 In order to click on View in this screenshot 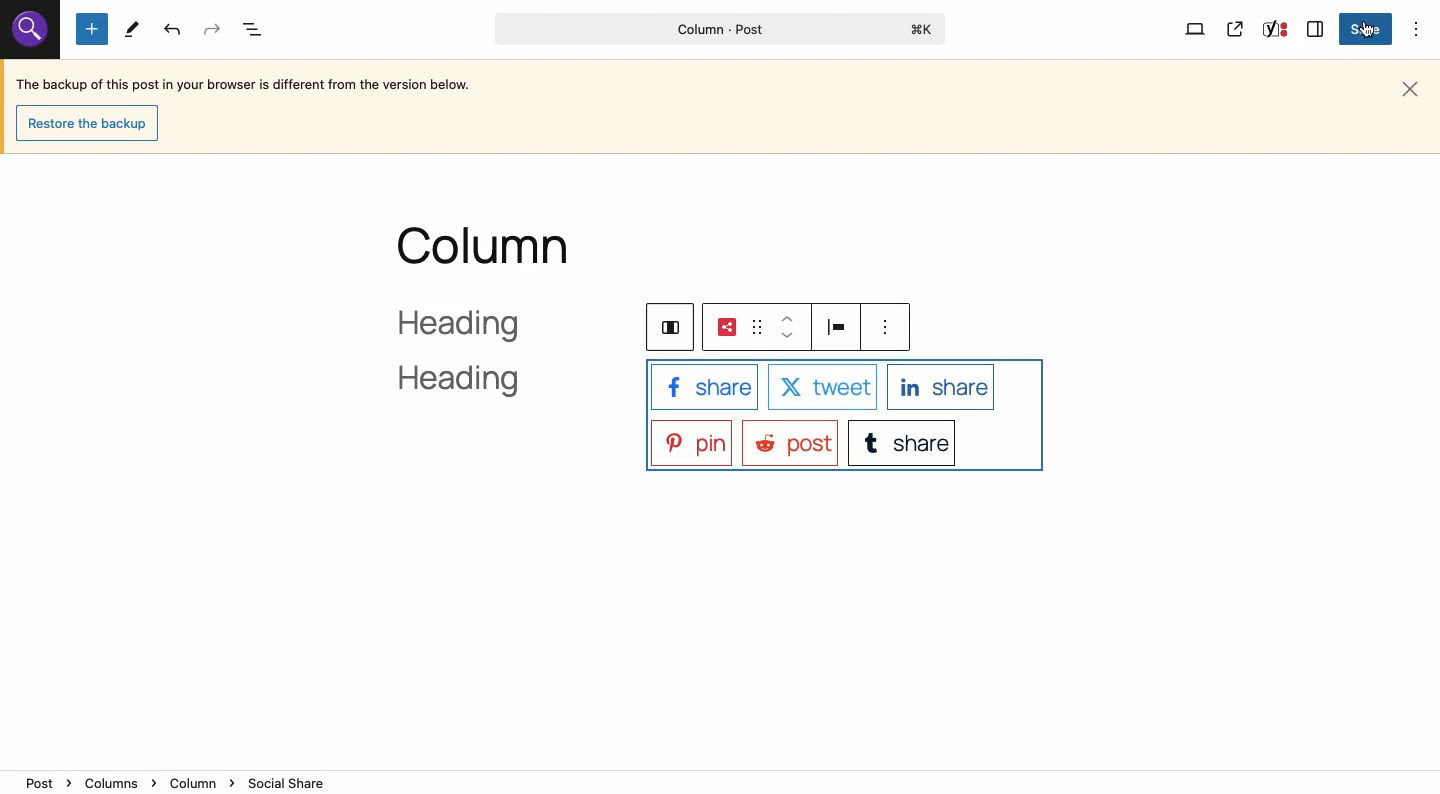, I will do `click(1196, 28)`.